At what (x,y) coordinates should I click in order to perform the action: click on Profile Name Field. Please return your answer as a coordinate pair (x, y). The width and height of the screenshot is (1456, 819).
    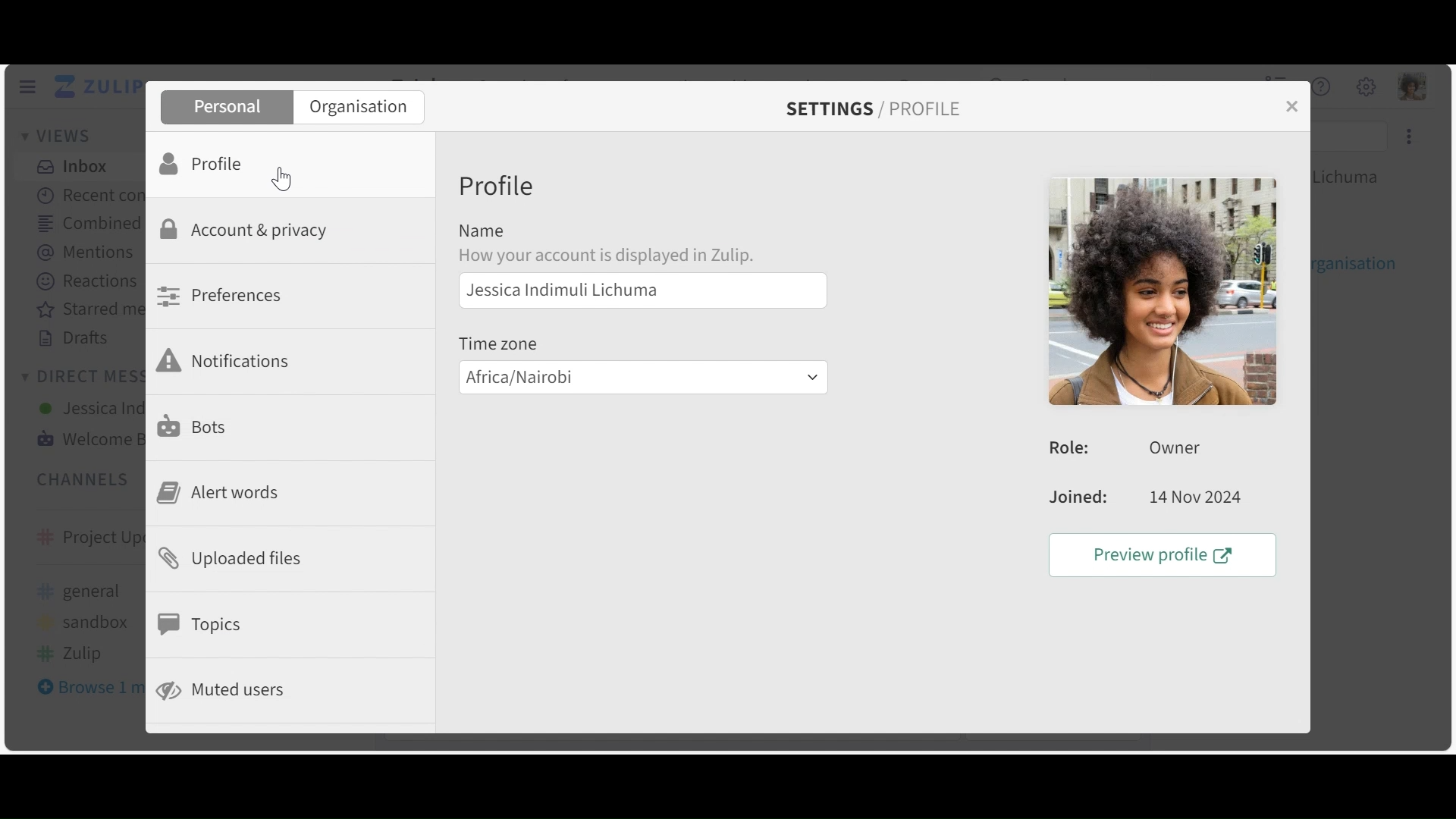
    Looking at the image, I should click on (640, 290).